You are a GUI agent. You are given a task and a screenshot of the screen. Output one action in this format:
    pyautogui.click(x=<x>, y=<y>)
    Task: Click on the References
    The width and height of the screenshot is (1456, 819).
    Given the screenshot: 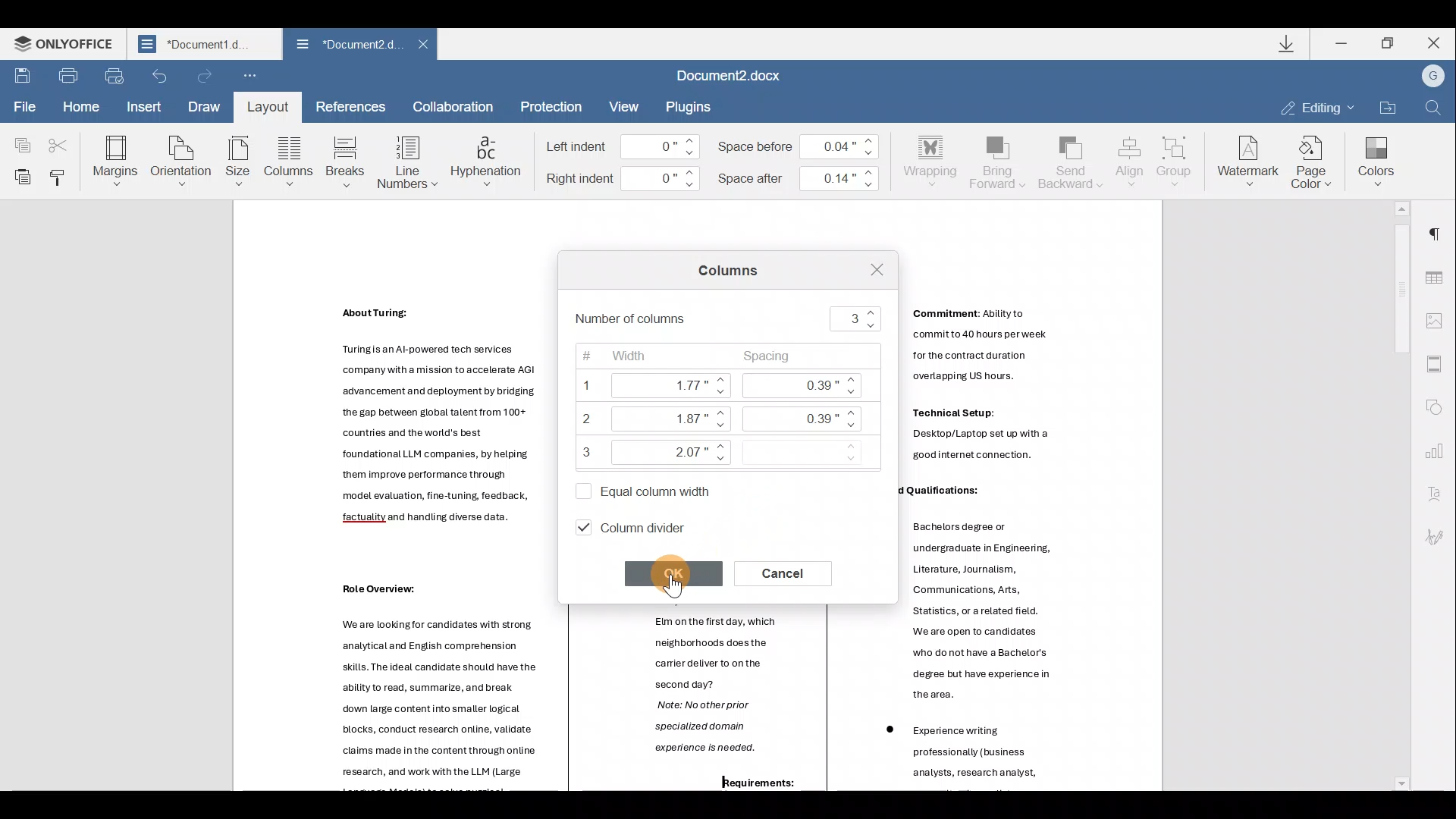 What is the action you would take?
    pyautogui.click(x=352, y=106)
    